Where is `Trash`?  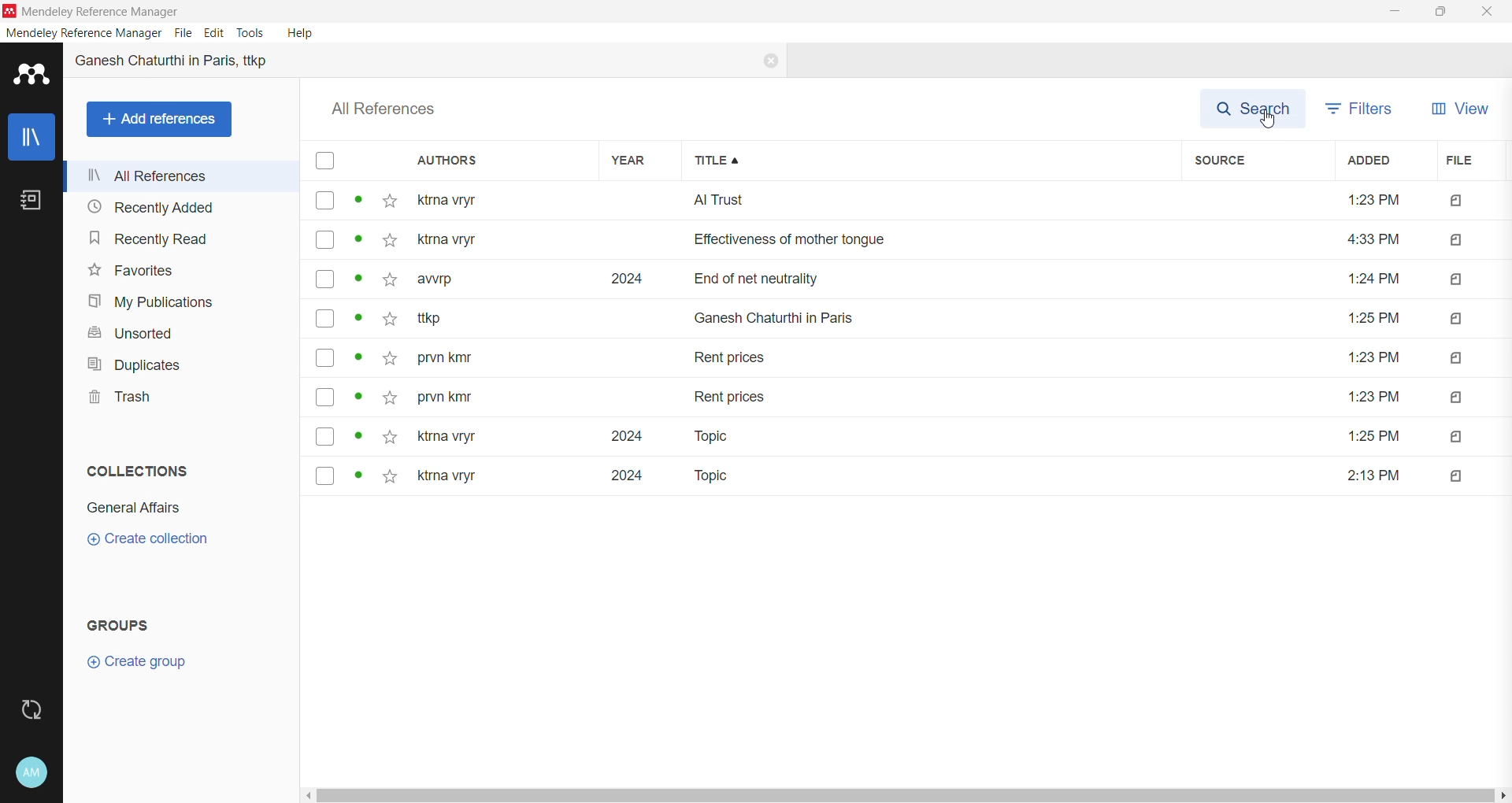 Trash is located at coordinates (120, 400).